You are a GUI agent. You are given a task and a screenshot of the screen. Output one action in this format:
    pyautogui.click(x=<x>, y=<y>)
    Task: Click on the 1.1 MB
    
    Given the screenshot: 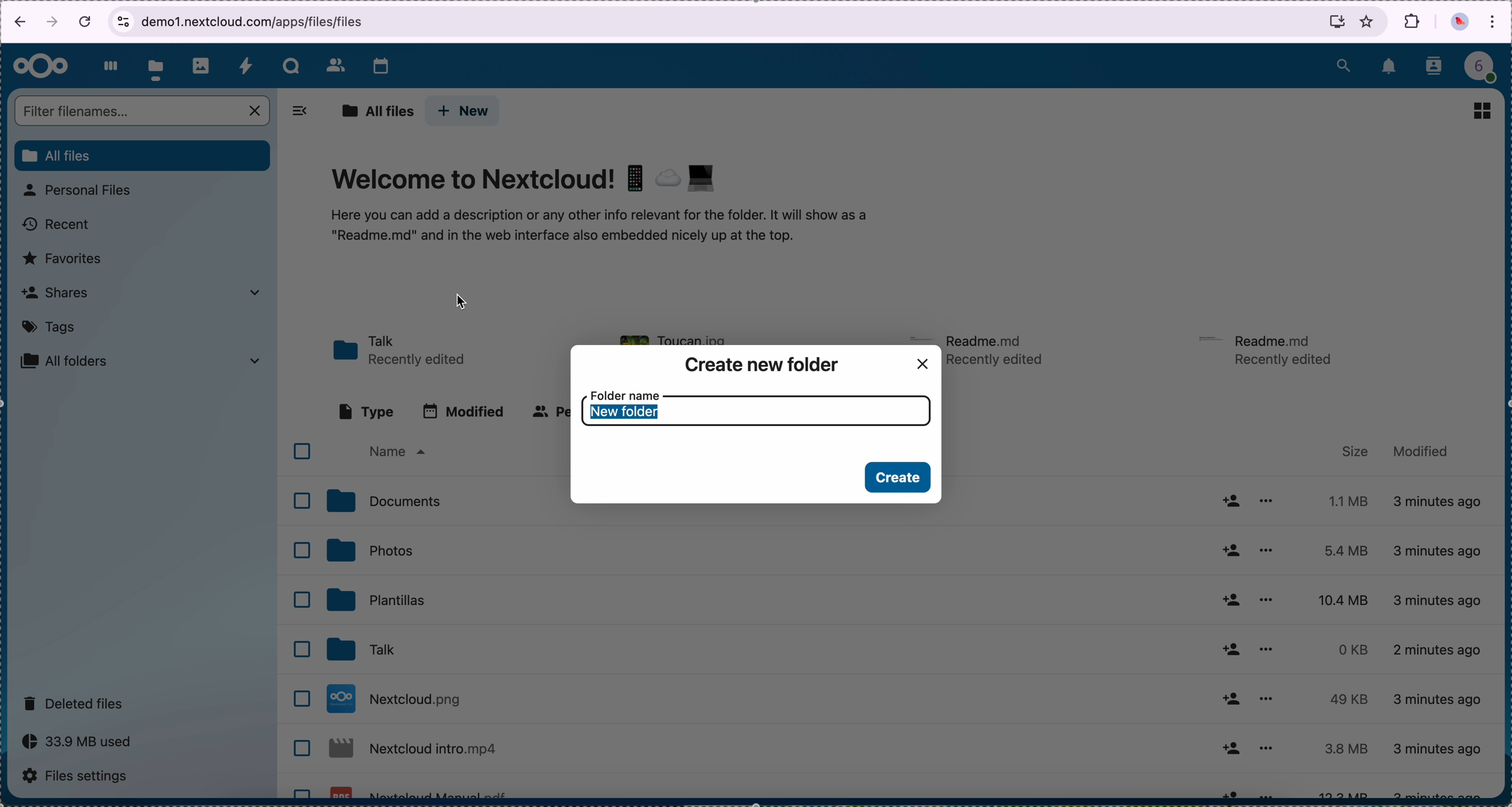 What is the action you would take?
    pyautogui.click(x=1345, y=499)
    